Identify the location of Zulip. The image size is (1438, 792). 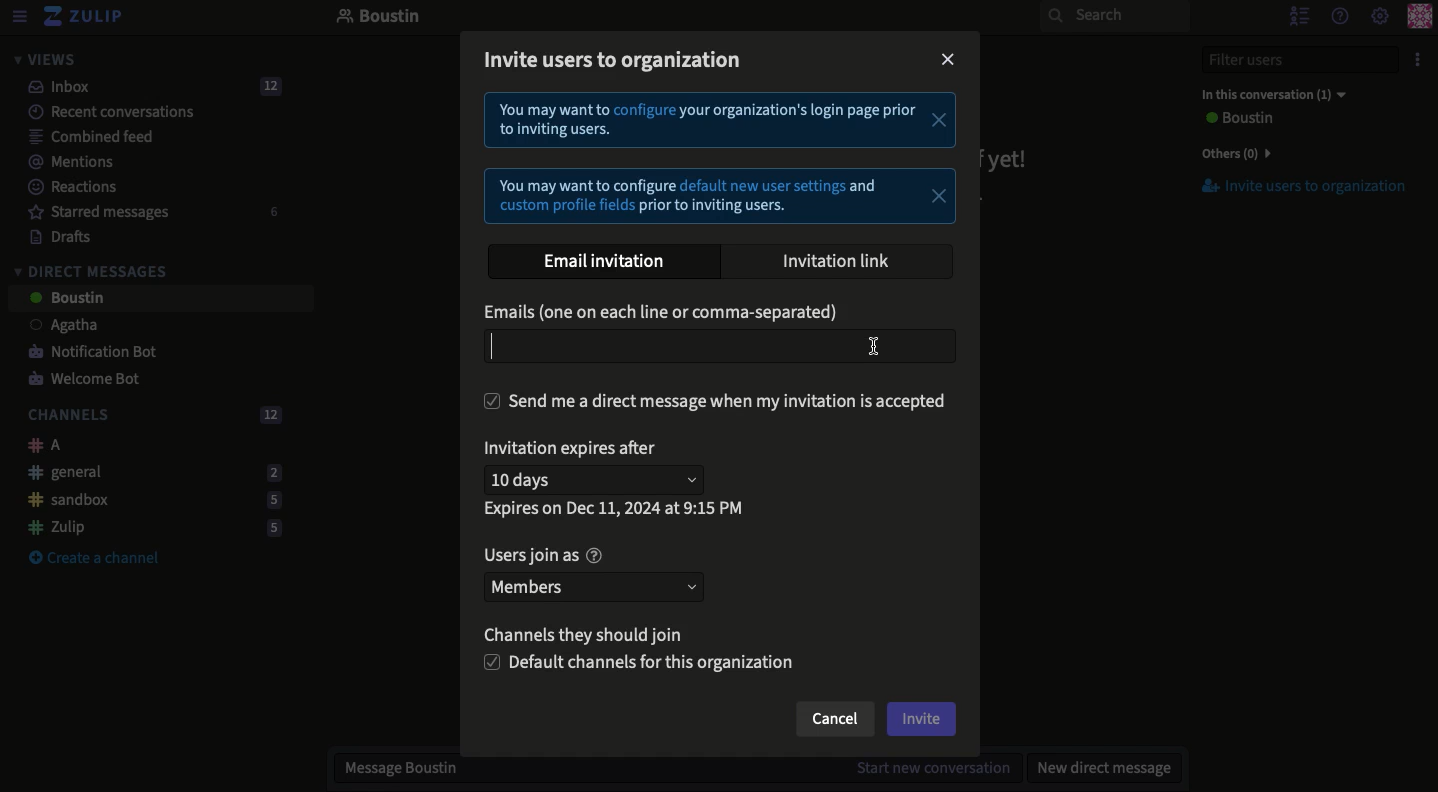
(148, 527).